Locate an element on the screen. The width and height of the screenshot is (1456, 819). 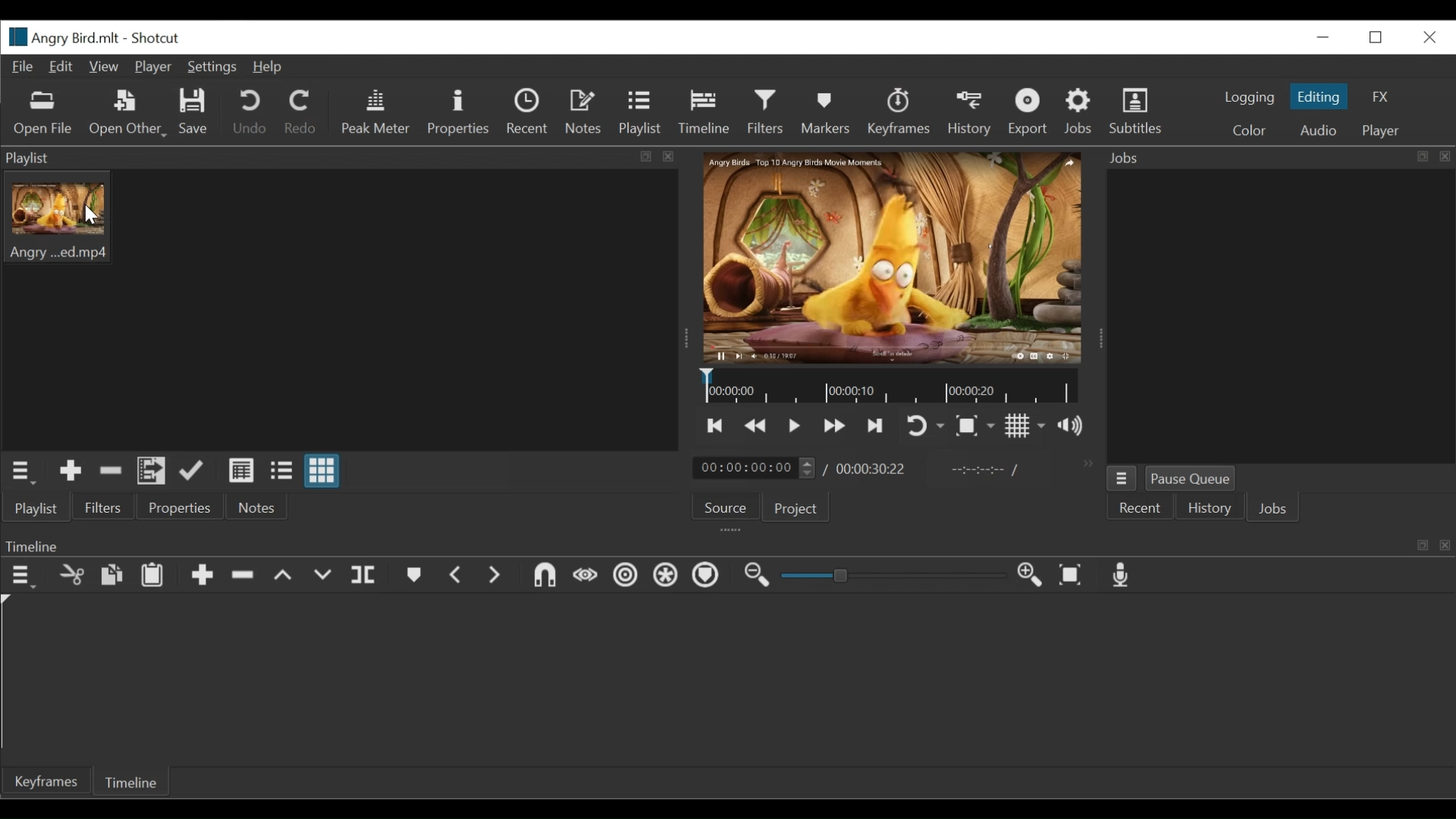
Next marker is located at coordinates (495, 576).